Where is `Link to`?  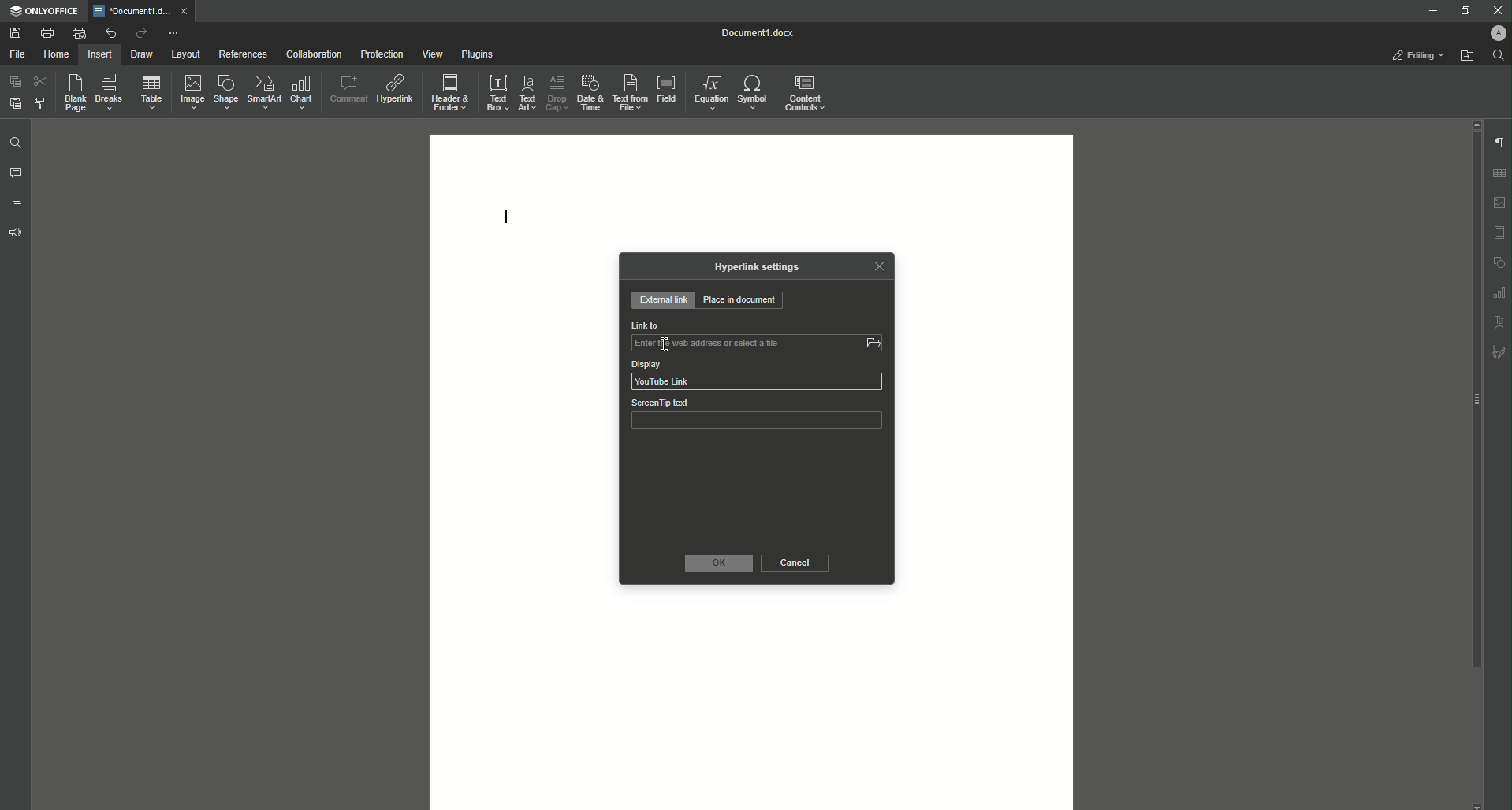 Link to is located at coordinates (645, 325).